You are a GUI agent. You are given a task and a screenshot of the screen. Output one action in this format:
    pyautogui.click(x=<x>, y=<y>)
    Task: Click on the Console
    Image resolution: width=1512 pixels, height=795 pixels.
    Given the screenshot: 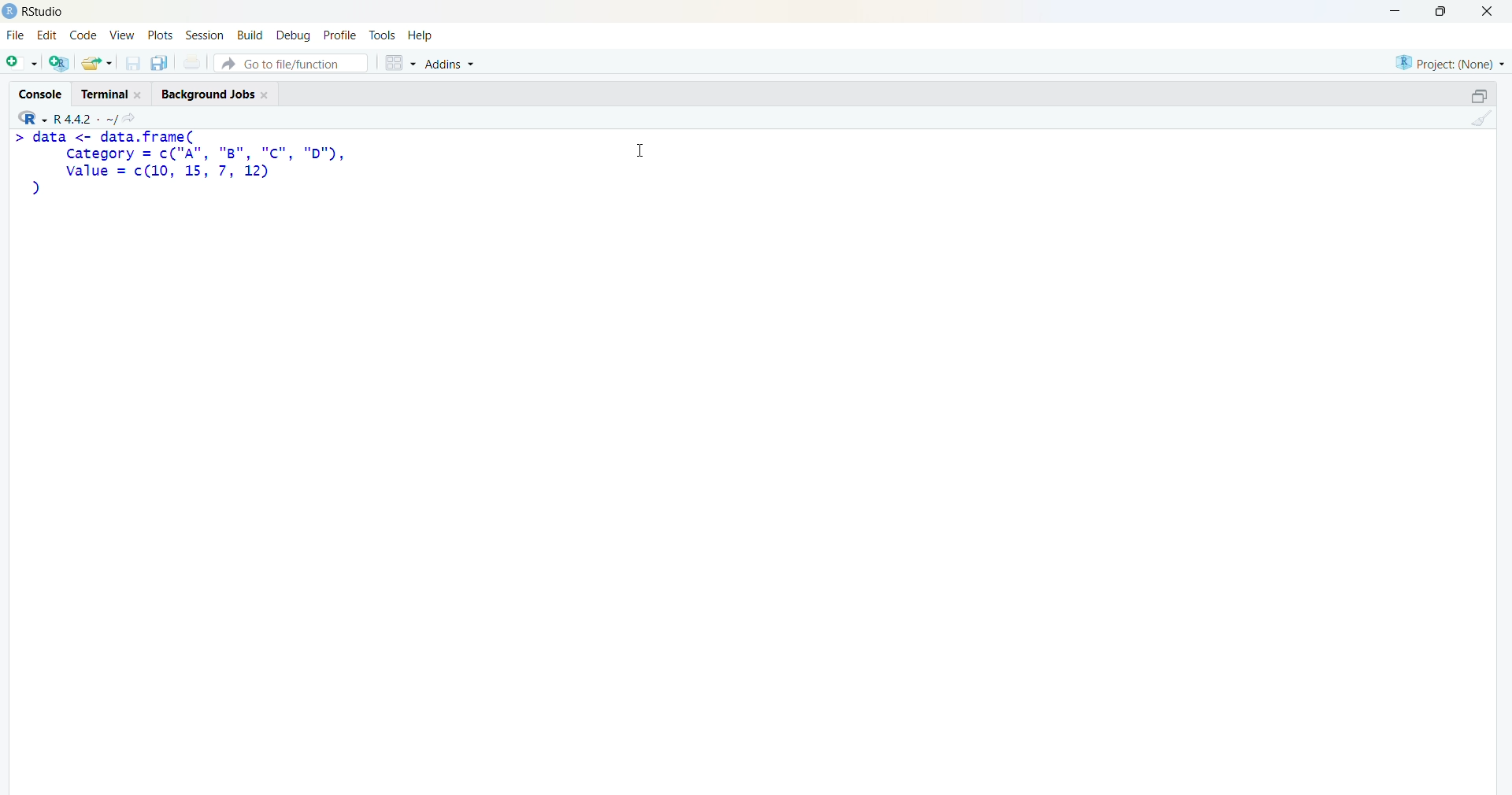 What is the action you would take?
    pyautogui.click(x=44, y=92)
    